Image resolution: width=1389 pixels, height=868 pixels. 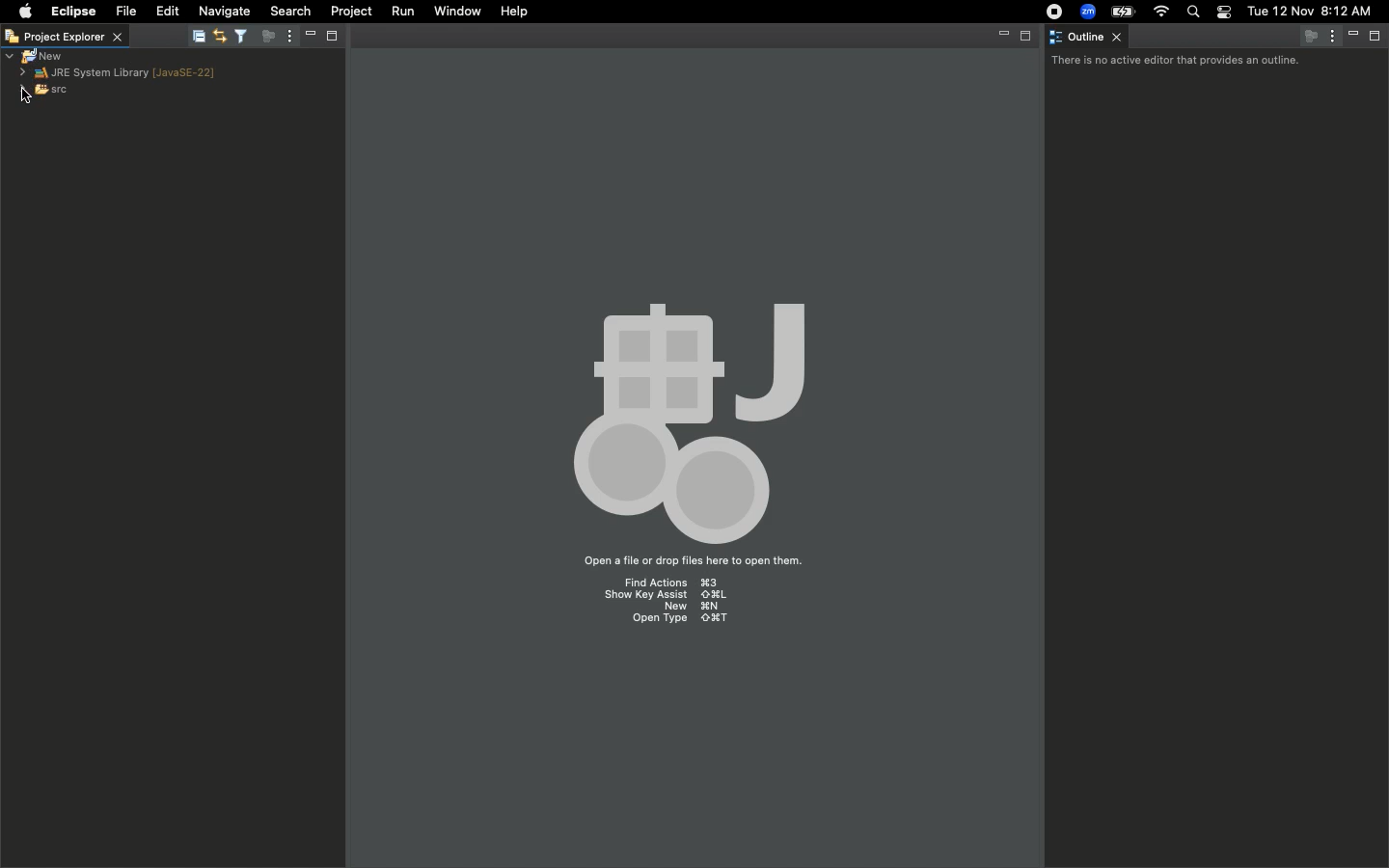 I want to click on Search, so click(x=1195, y=13).